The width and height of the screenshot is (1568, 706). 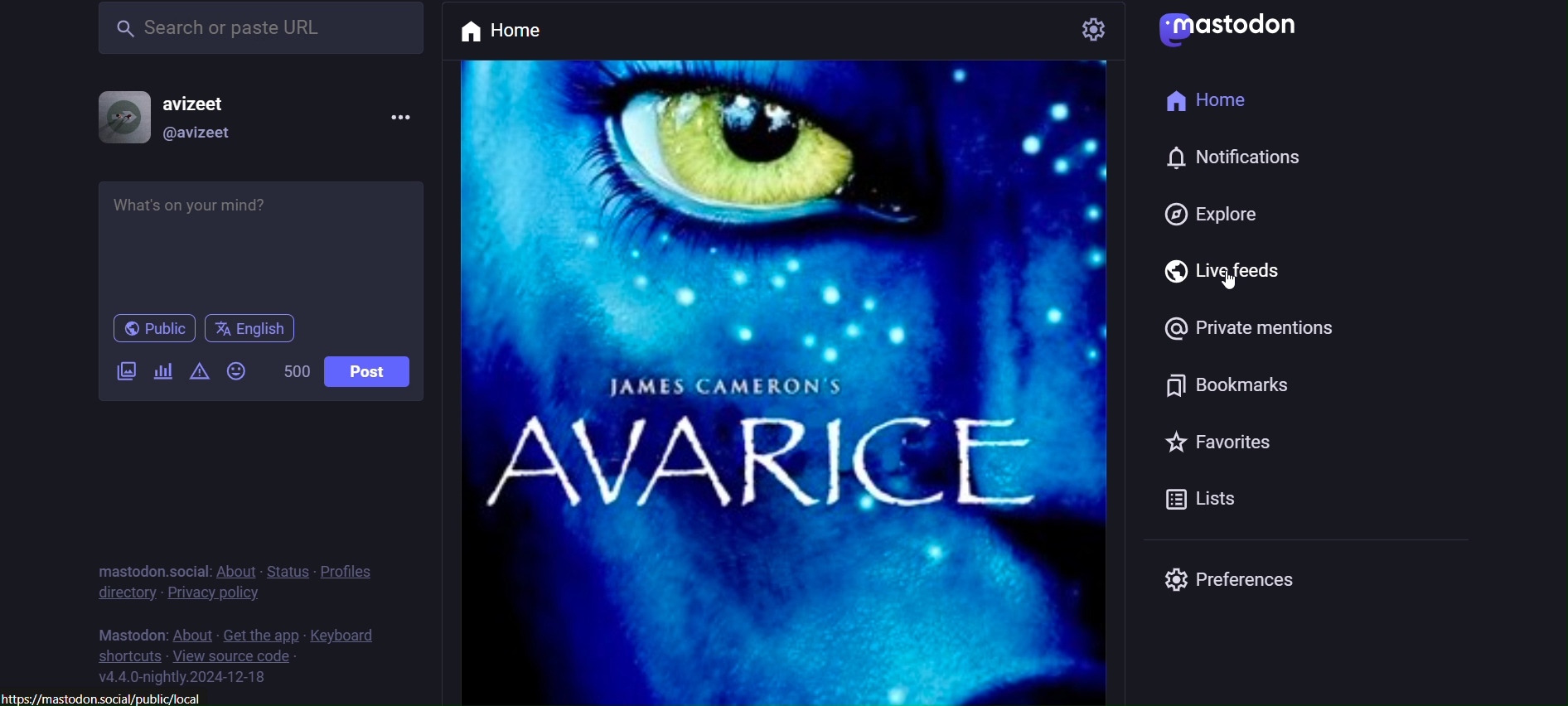 I want to click on public, so click(x=150, y=329).